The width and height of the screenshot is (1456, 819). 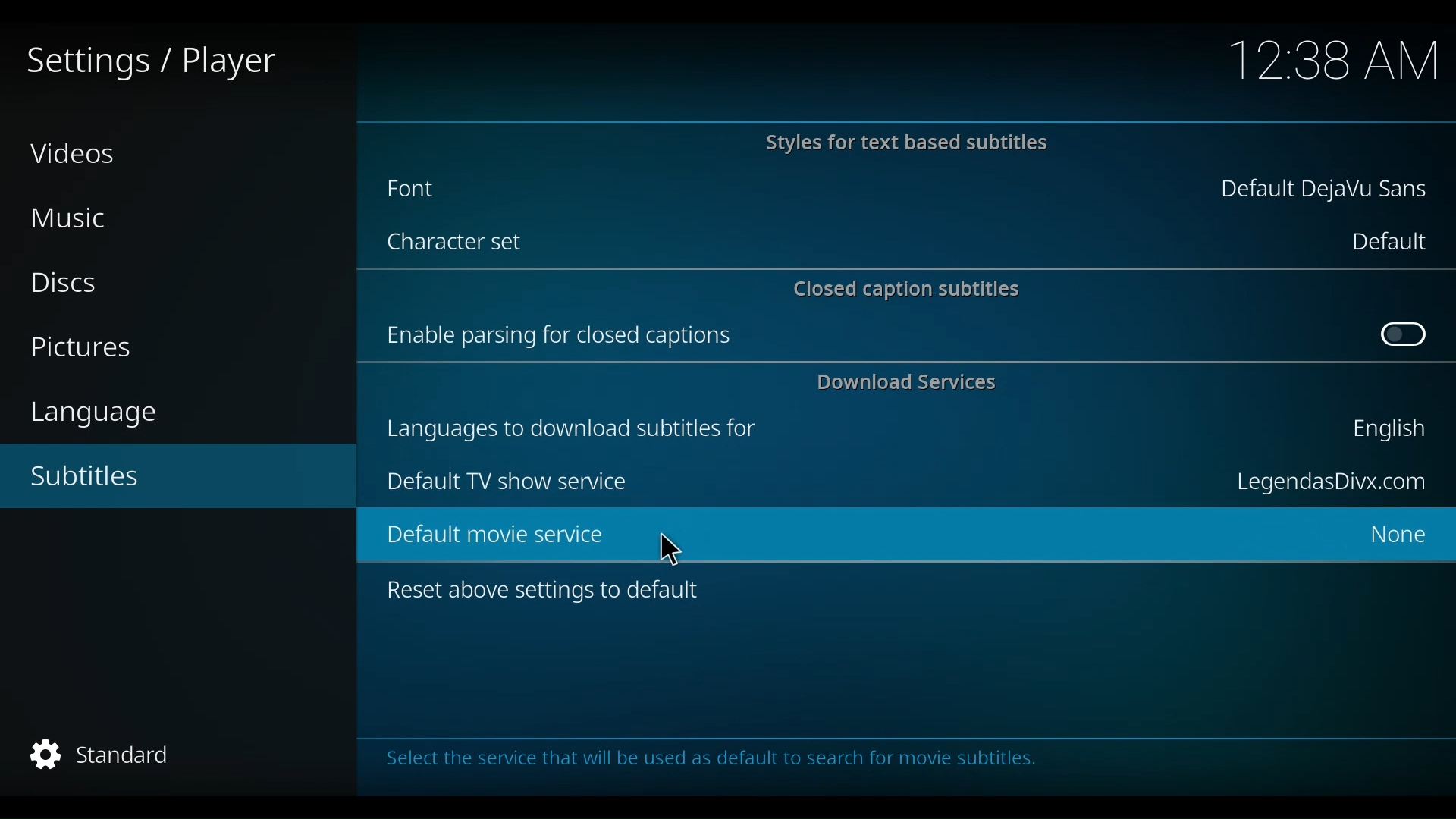 I want to click on Subtitles, so click(x=104, y=476).